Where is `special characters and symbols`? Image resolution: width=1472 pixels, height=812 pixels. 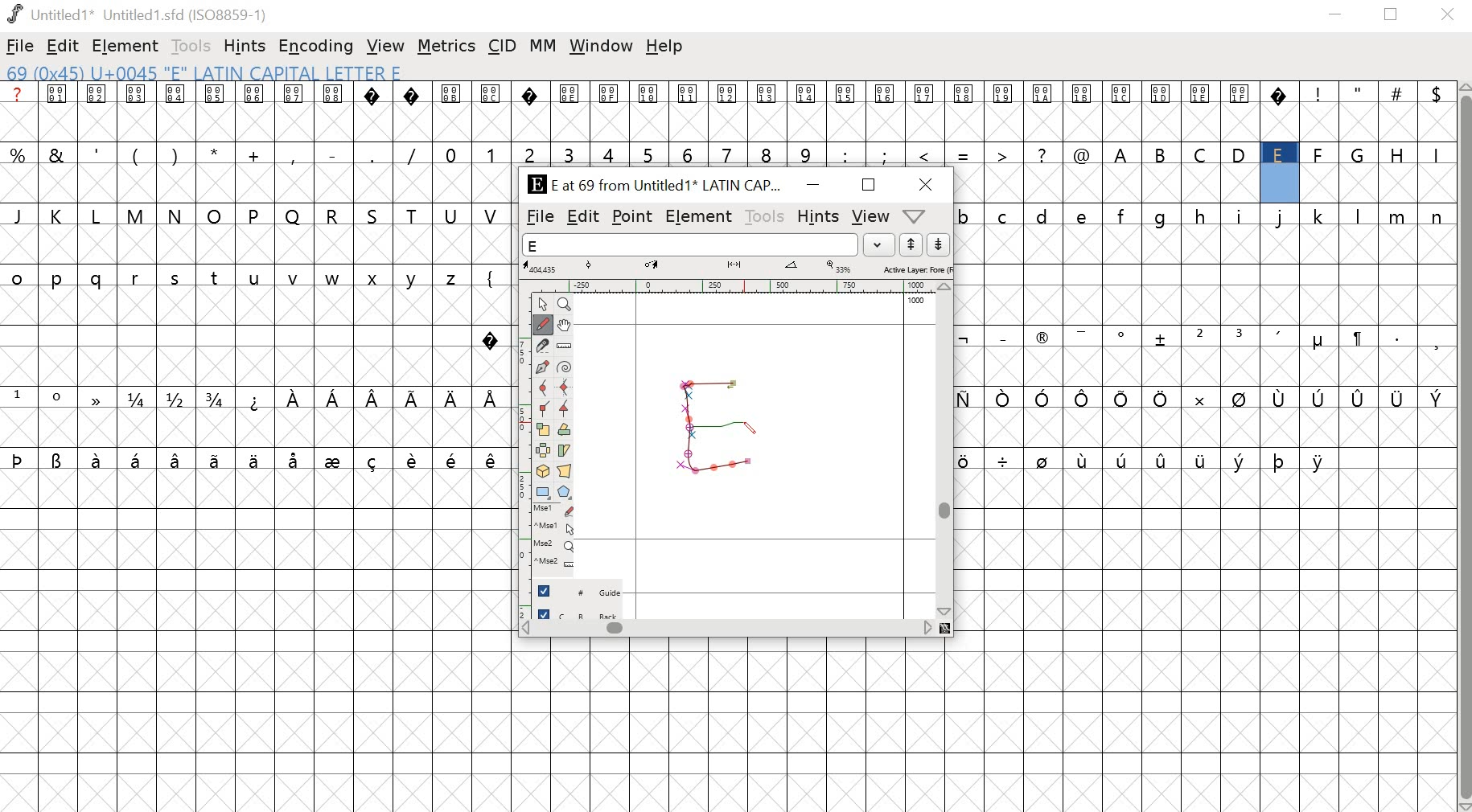 special characters and symbols is located at coordinates (725, 93).